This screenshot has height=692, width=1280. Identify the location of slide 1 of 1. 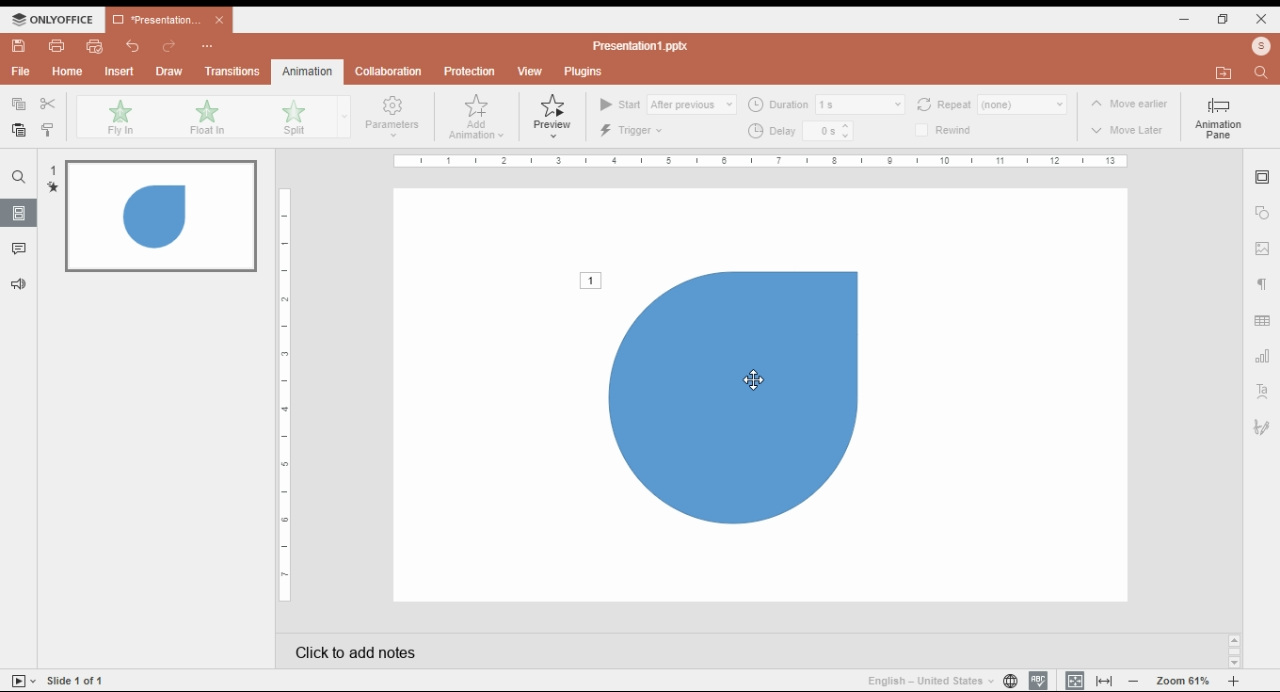
(80, 680).